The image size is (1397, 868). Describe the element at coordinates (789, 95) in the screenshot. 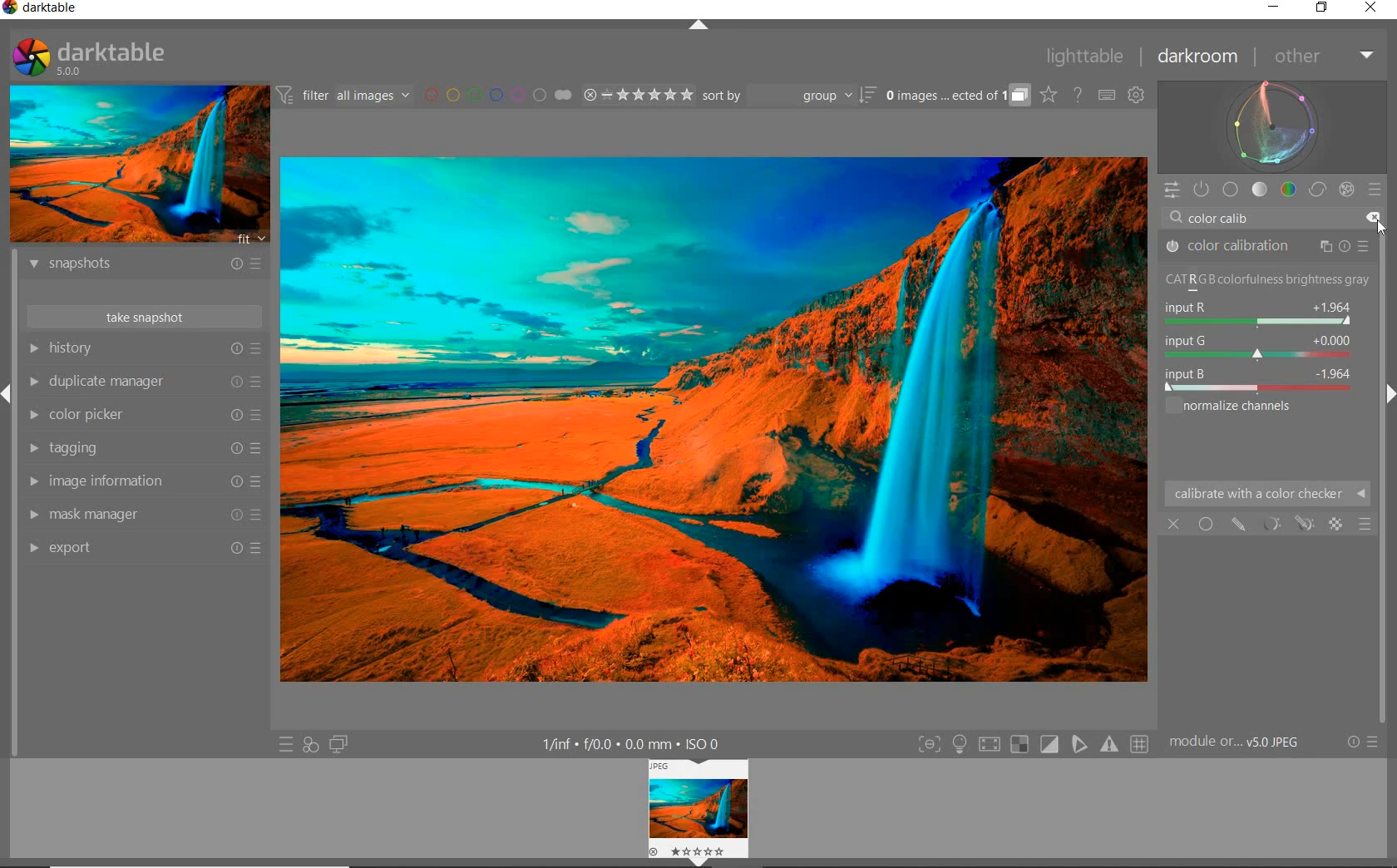

I see `sort by` at that location.